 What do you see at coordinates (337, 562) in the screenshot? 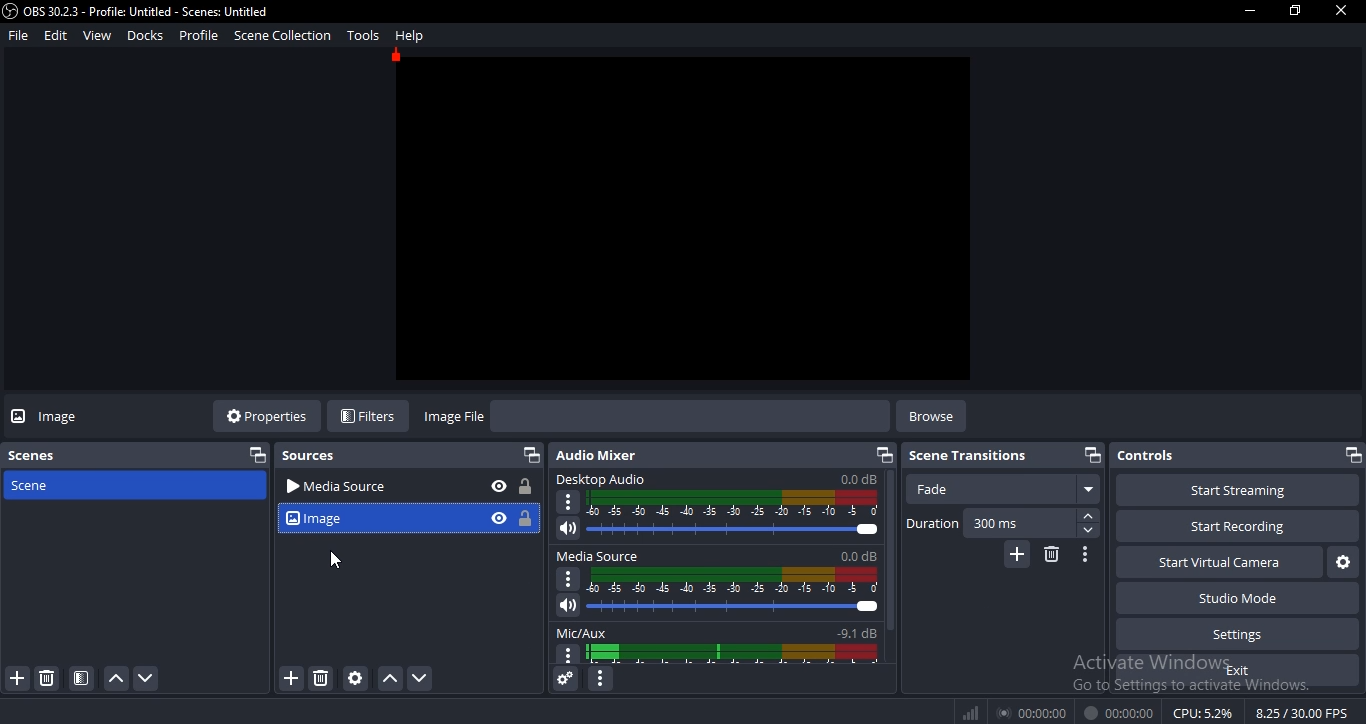
I see `cursor` at bounding box center [337, 562].